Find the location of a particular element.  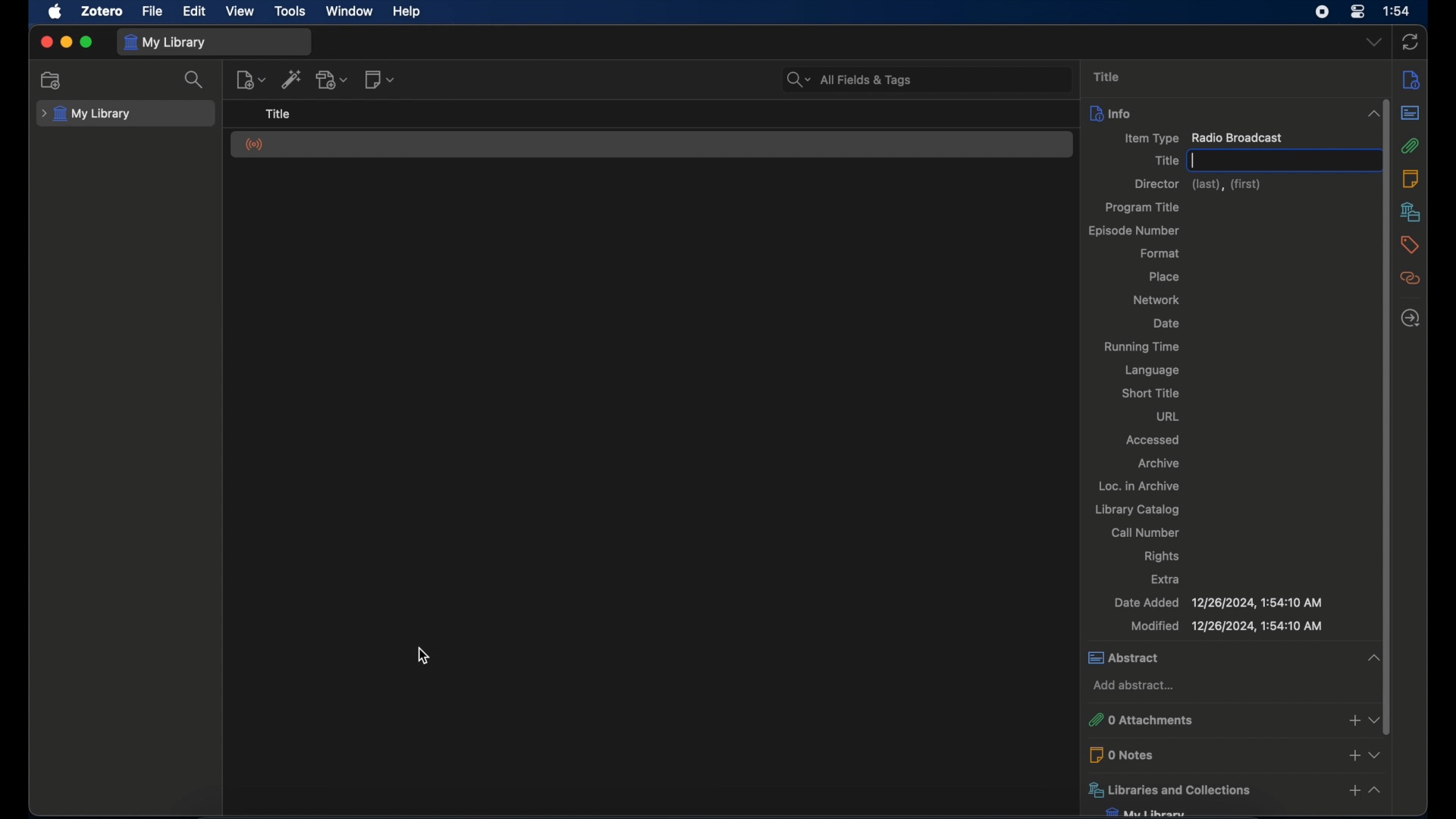

control center is located at coordinates (1357, 12).